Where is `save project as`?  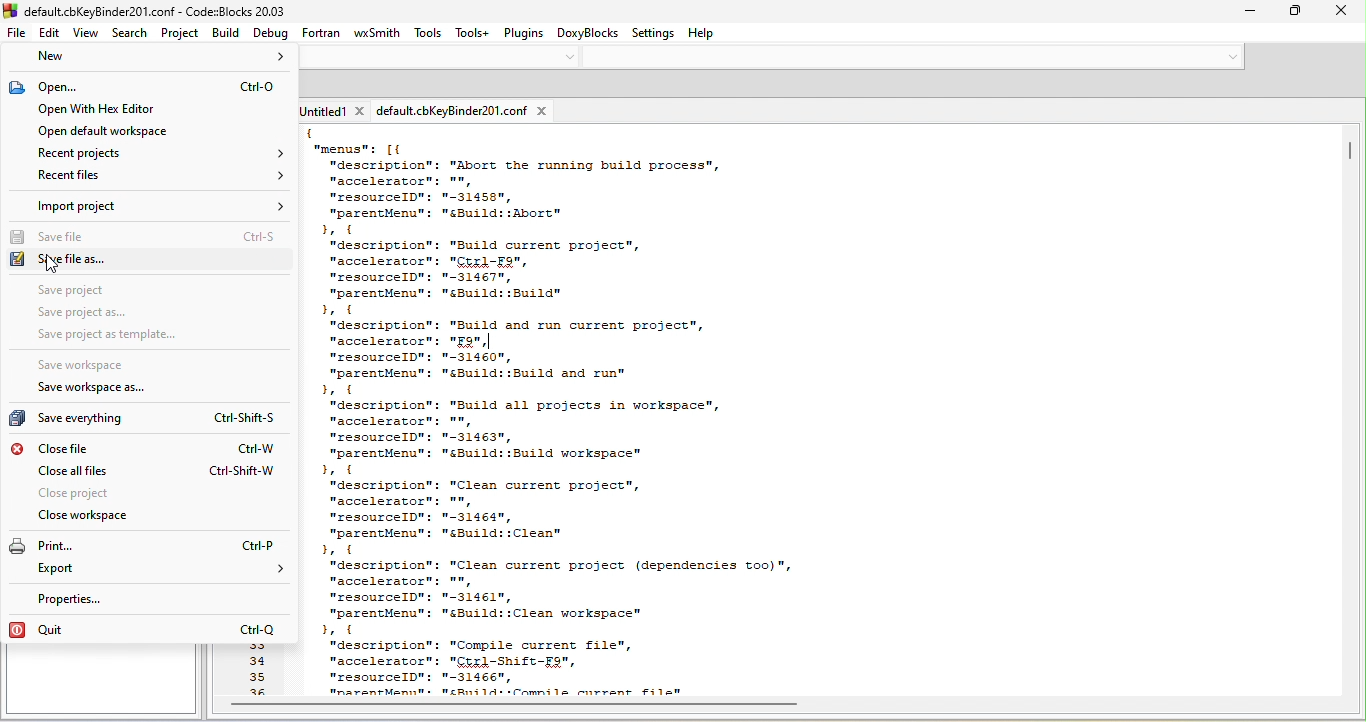 save project as is located at coordinates (117, 313).